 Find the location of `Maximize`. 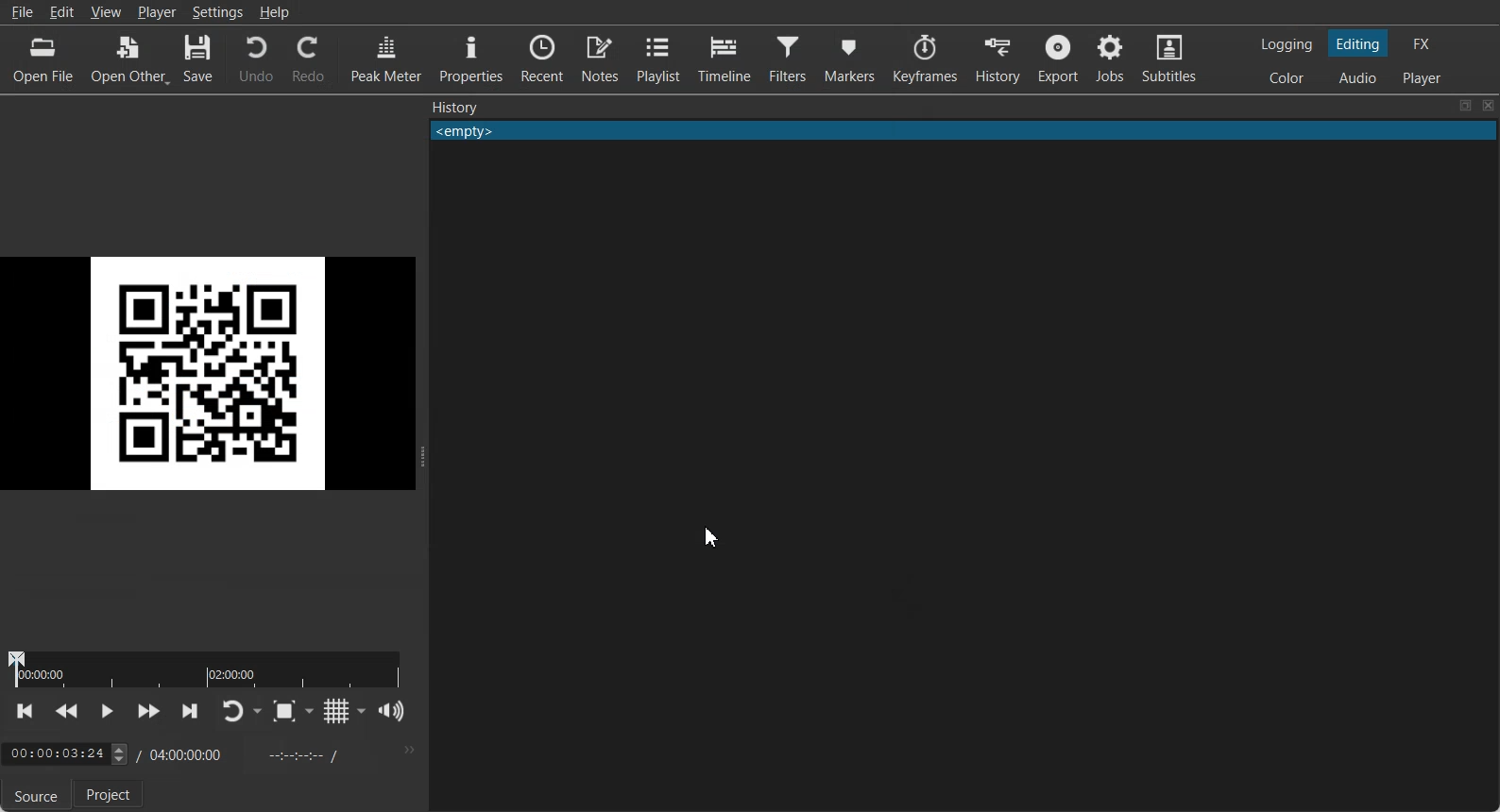

Maximize is located at coordinates (1465, 106).